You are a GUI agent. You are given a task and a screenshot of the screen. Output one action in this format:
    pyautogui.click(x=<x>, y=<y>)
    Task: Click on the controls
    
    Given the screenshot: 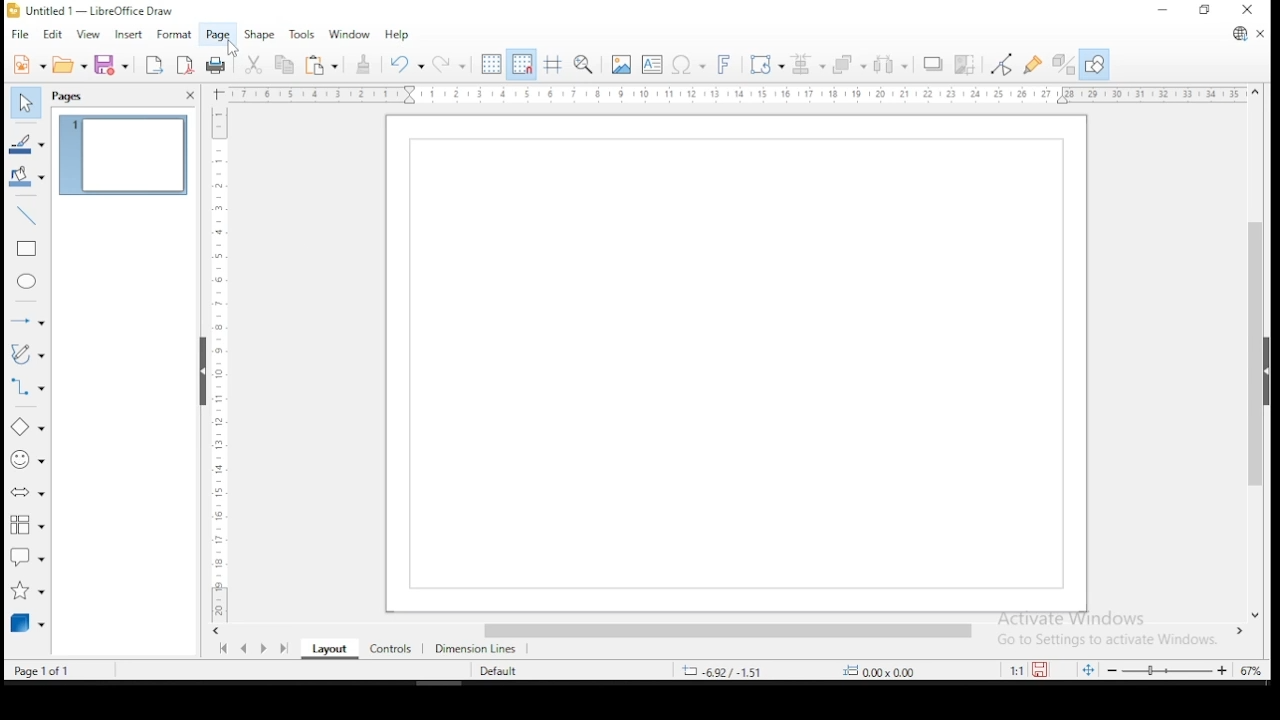 What is the action you would take?
    pyautogui.click(x=389, y=650)
    